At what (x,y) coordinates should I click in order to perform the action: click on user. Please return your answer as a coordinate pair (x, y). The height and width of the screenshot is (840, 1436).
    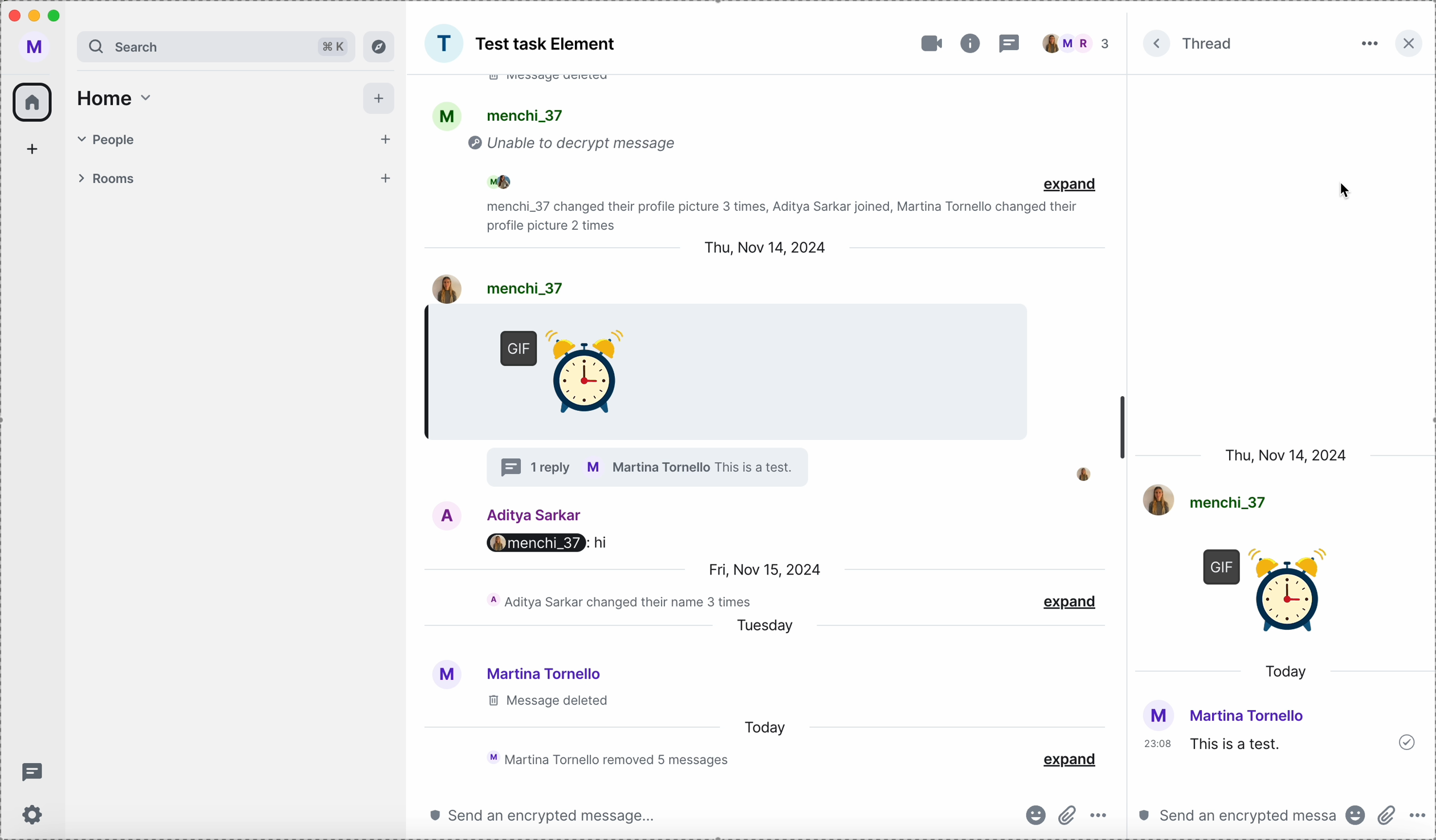
    Looking at the image, I should click on (498, 288).